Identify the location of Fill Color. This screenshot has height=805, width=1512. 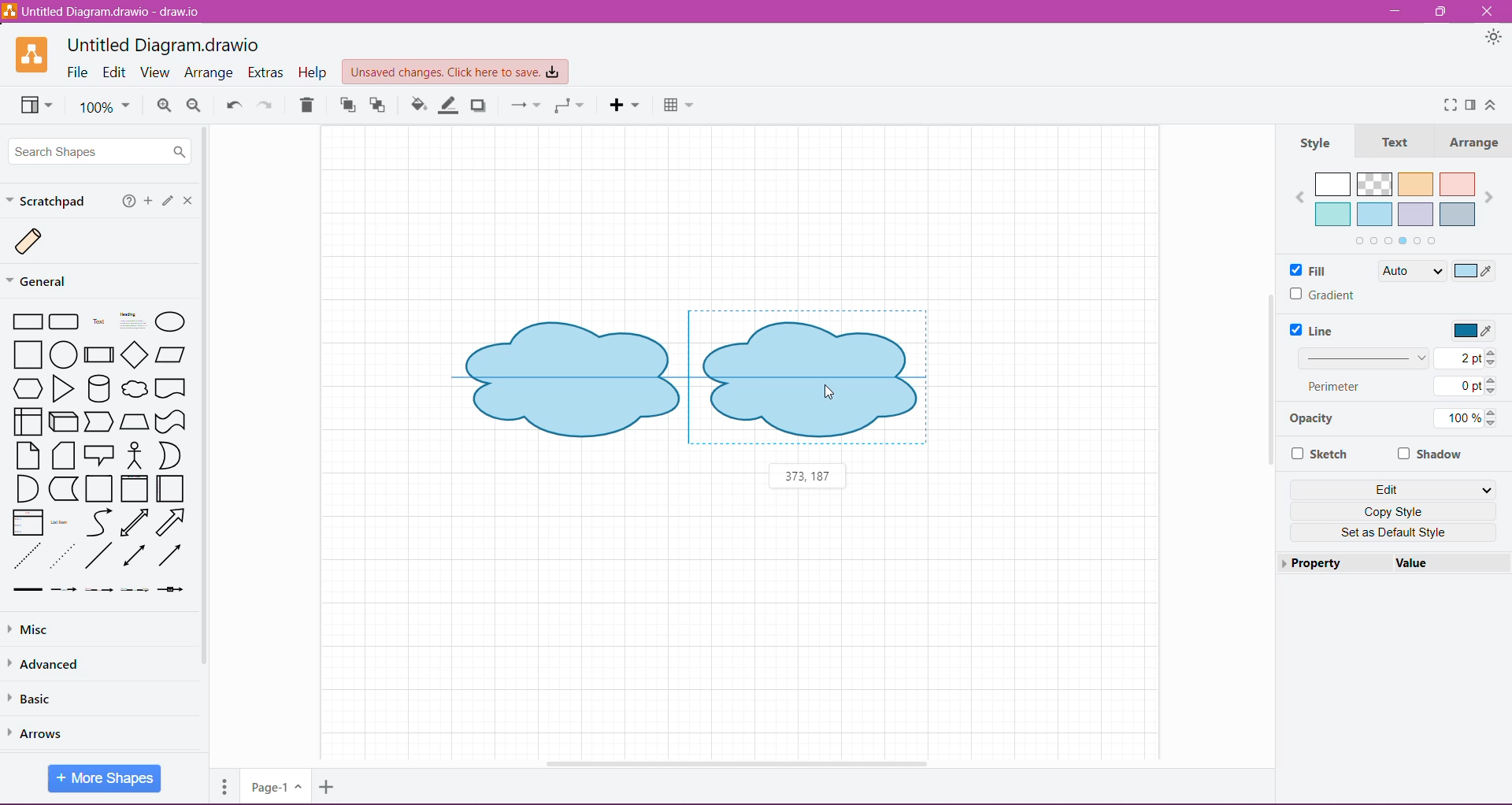
(418, 106).